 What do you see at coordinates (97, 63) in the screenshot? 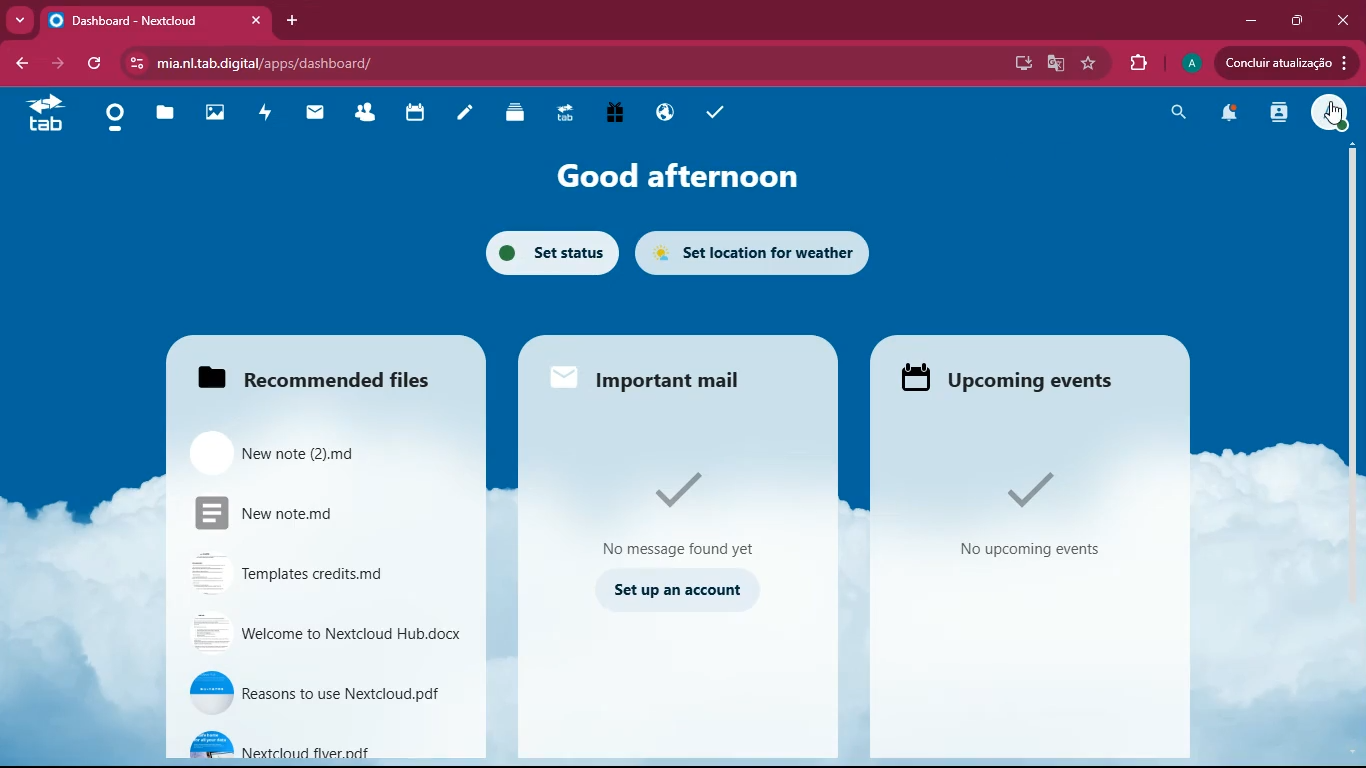
I see `refresh` at bounding box center [97, 63].